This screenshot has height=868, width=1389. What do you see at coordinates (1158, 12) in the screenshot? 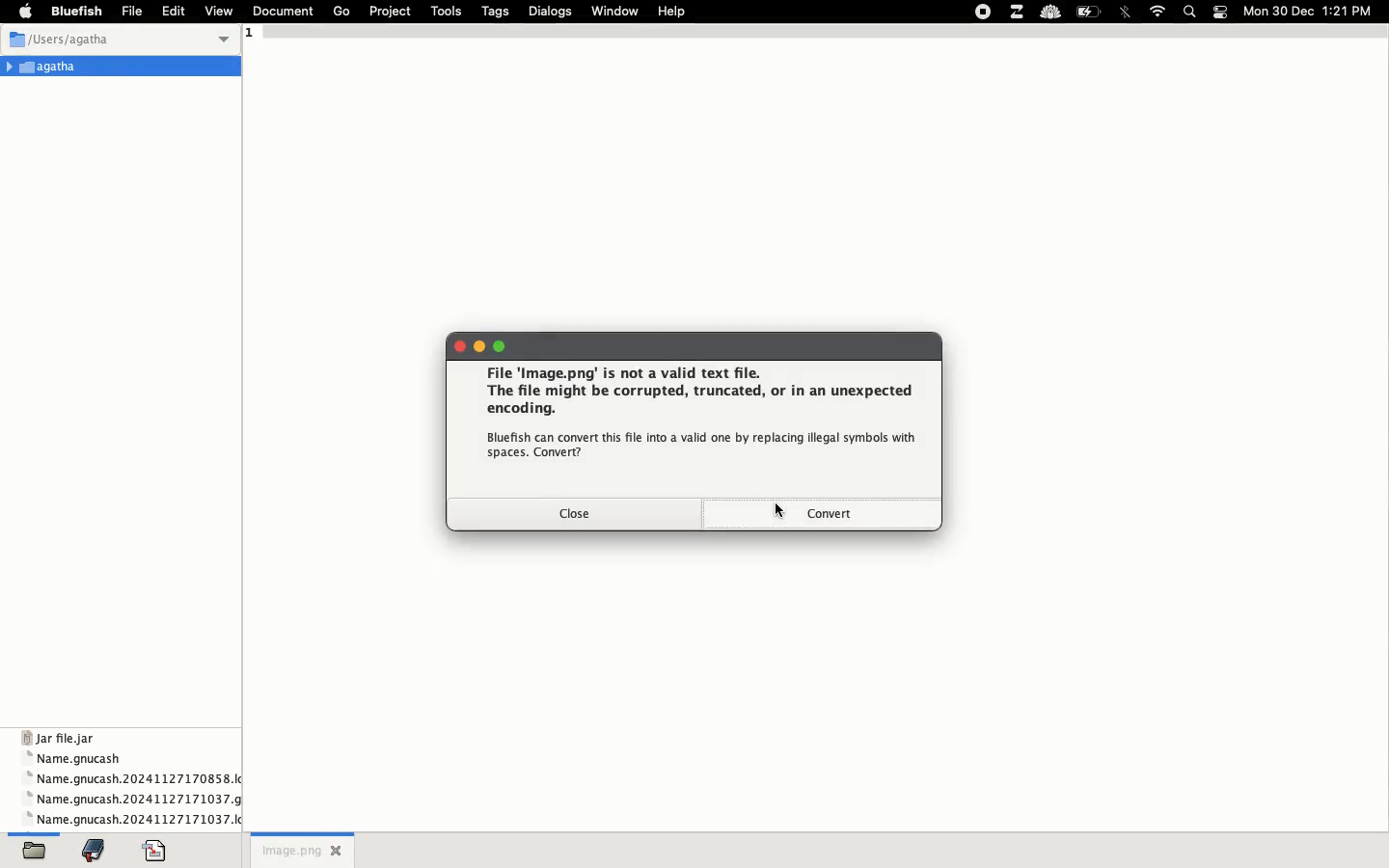
I see `internet` at bounding box center [1158, 12].